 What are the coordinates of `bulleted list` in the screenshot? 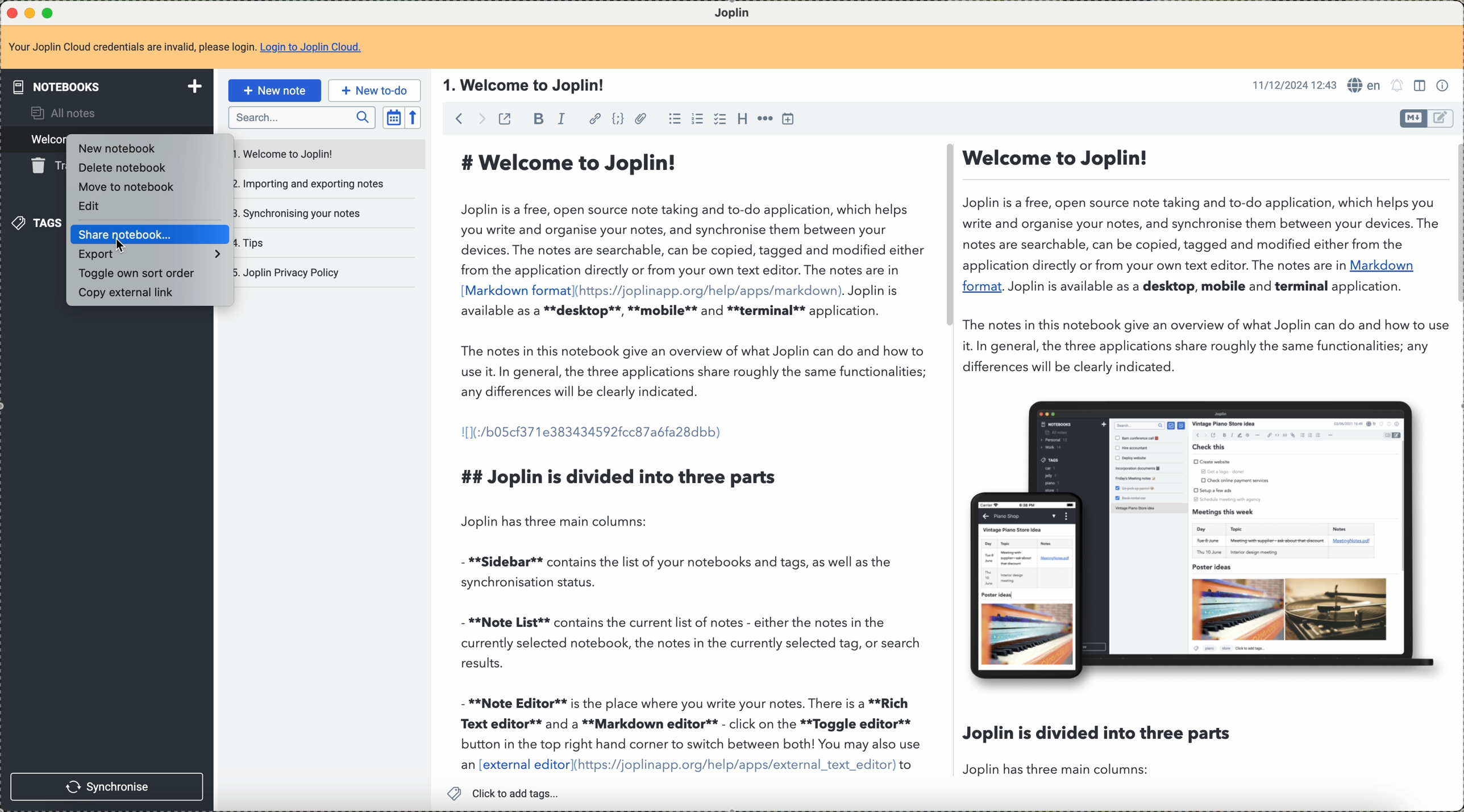 It's located at (674, 119).